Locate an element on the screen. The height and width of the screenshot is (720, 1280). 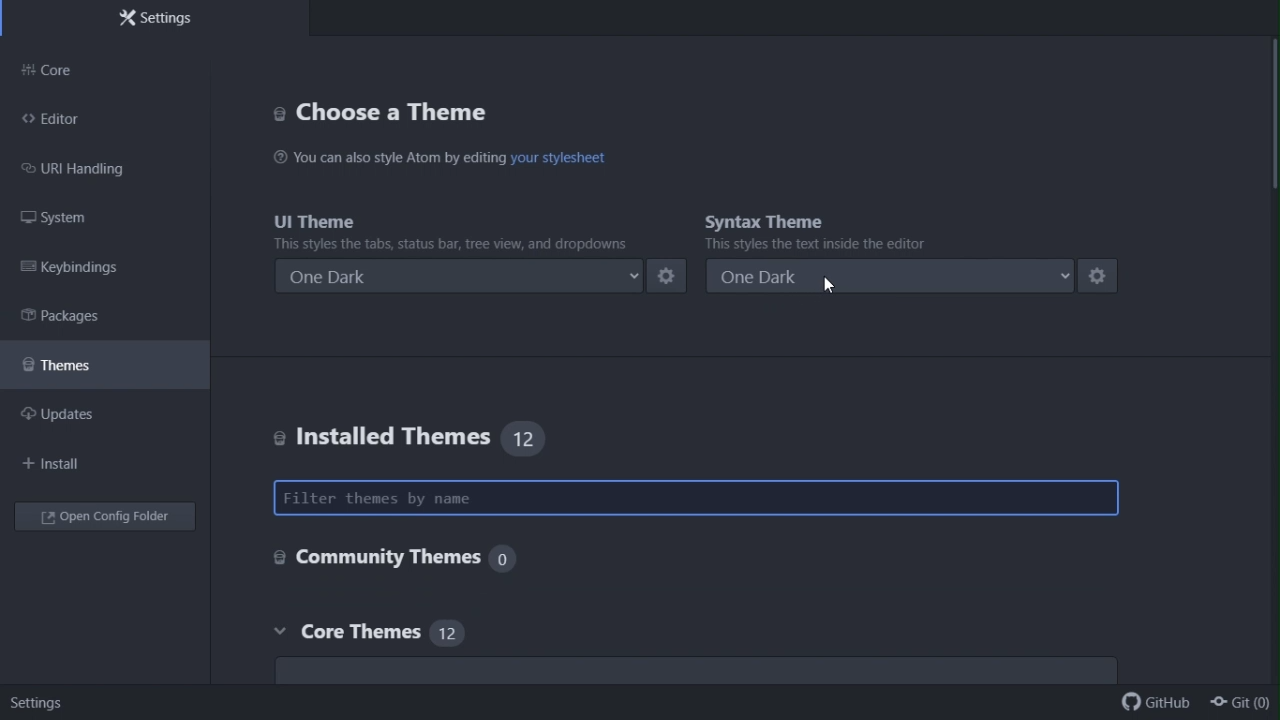
git is located at coordinates (1242, 703).